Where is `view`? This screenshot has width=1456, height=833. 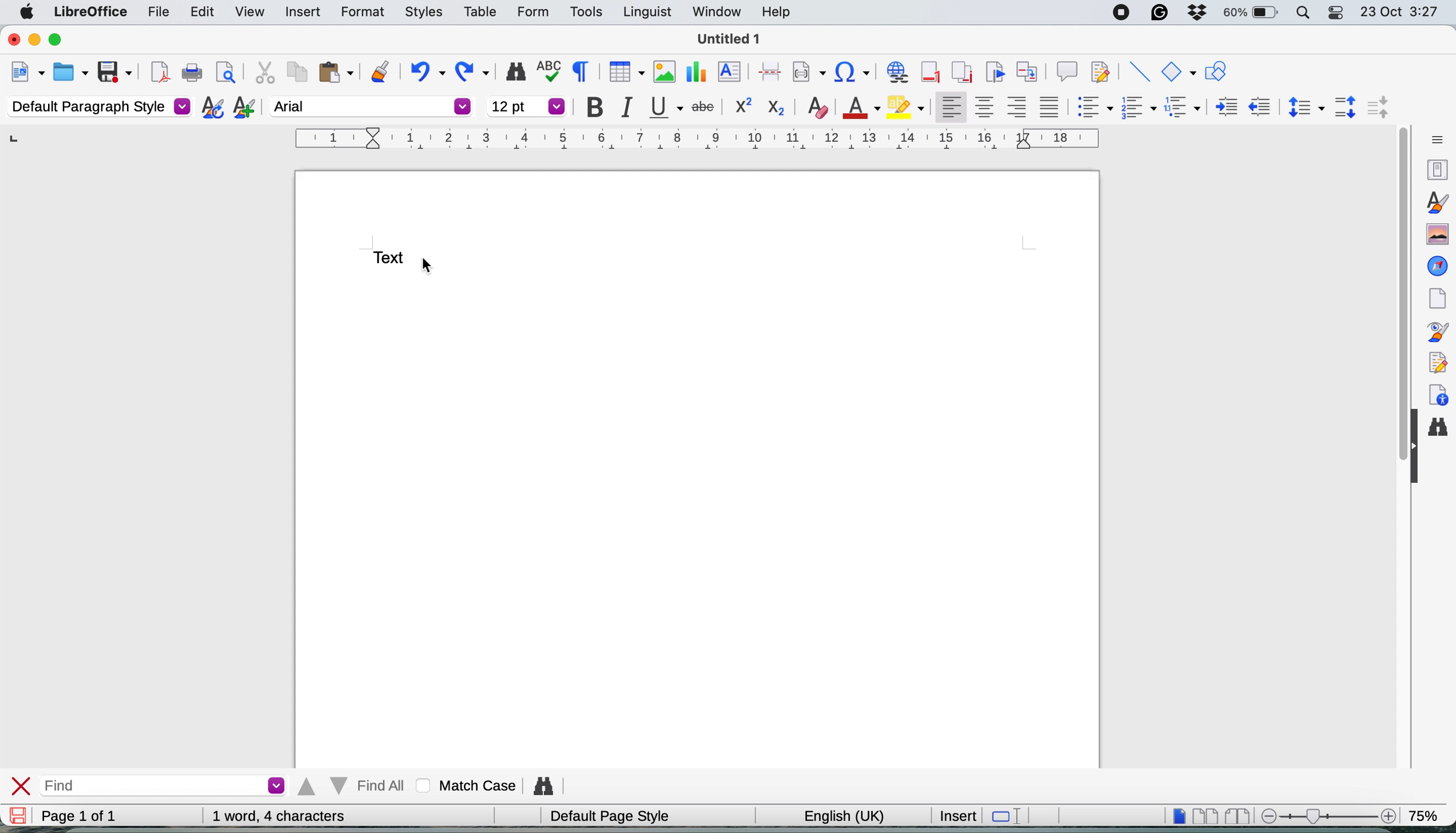
view is located at coordinates (251, 11).